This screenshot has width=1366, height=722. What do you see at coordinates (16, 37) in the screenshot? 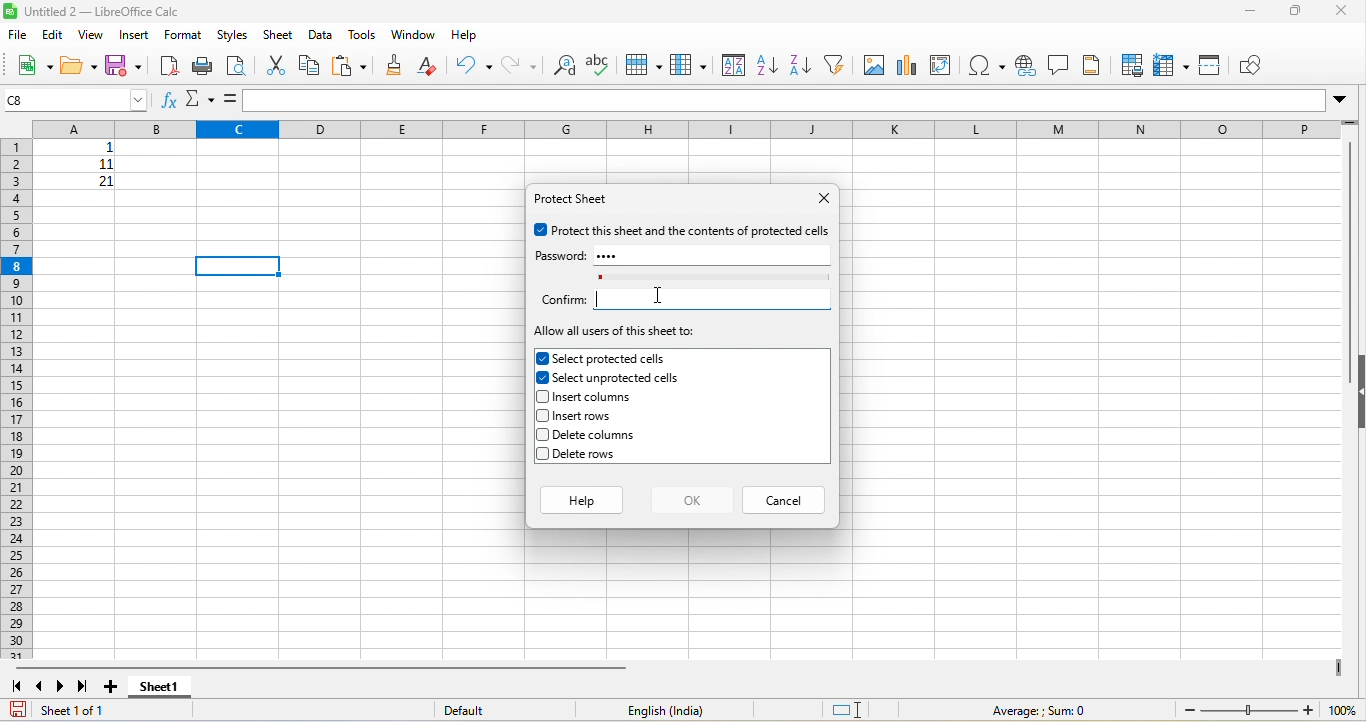
I see `file` at bounding box center [16, 37].